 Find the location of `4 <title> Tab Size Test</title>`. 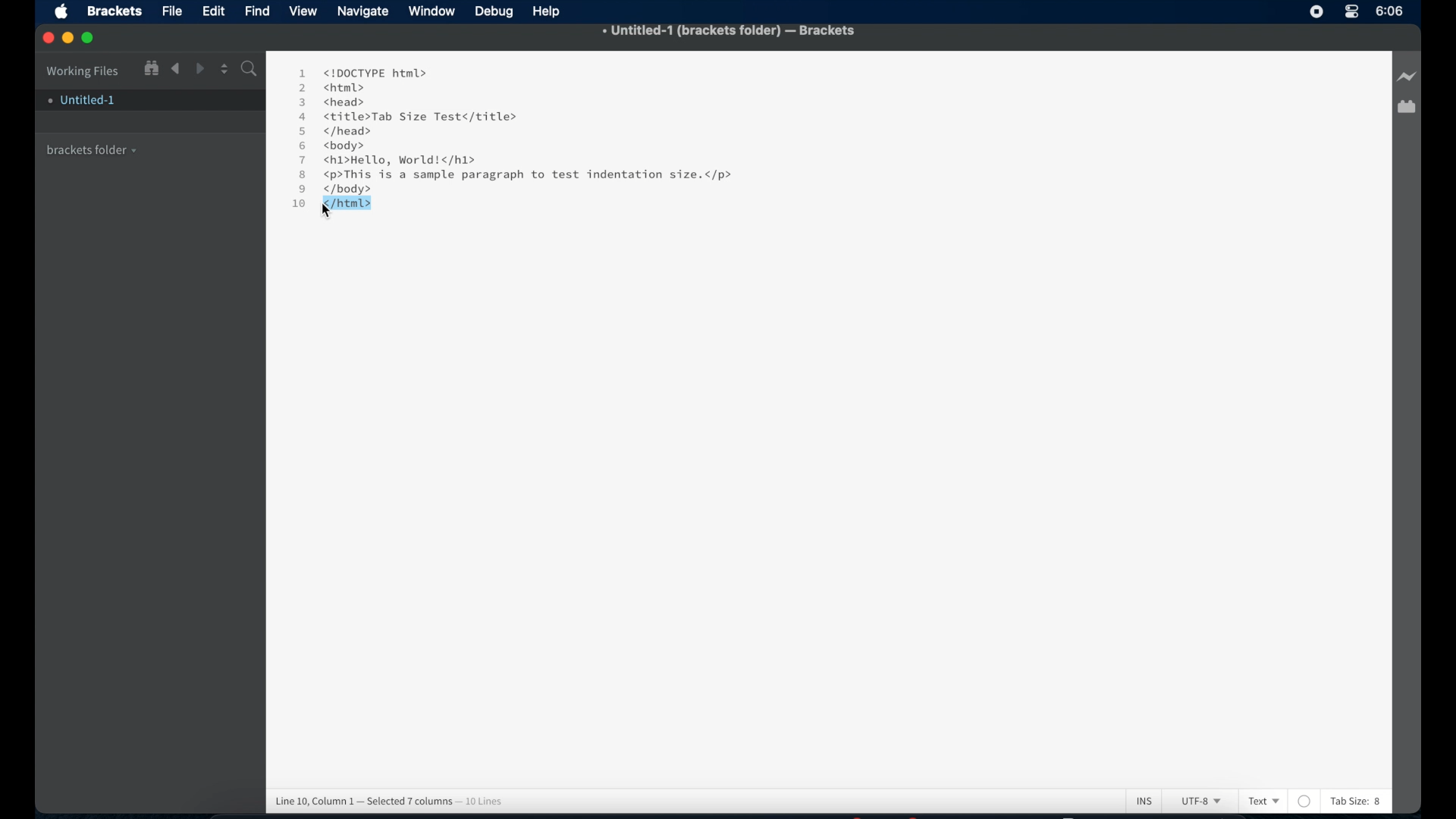

4 <title> Tab Size Test</title> is located at coordinates (406, 117).